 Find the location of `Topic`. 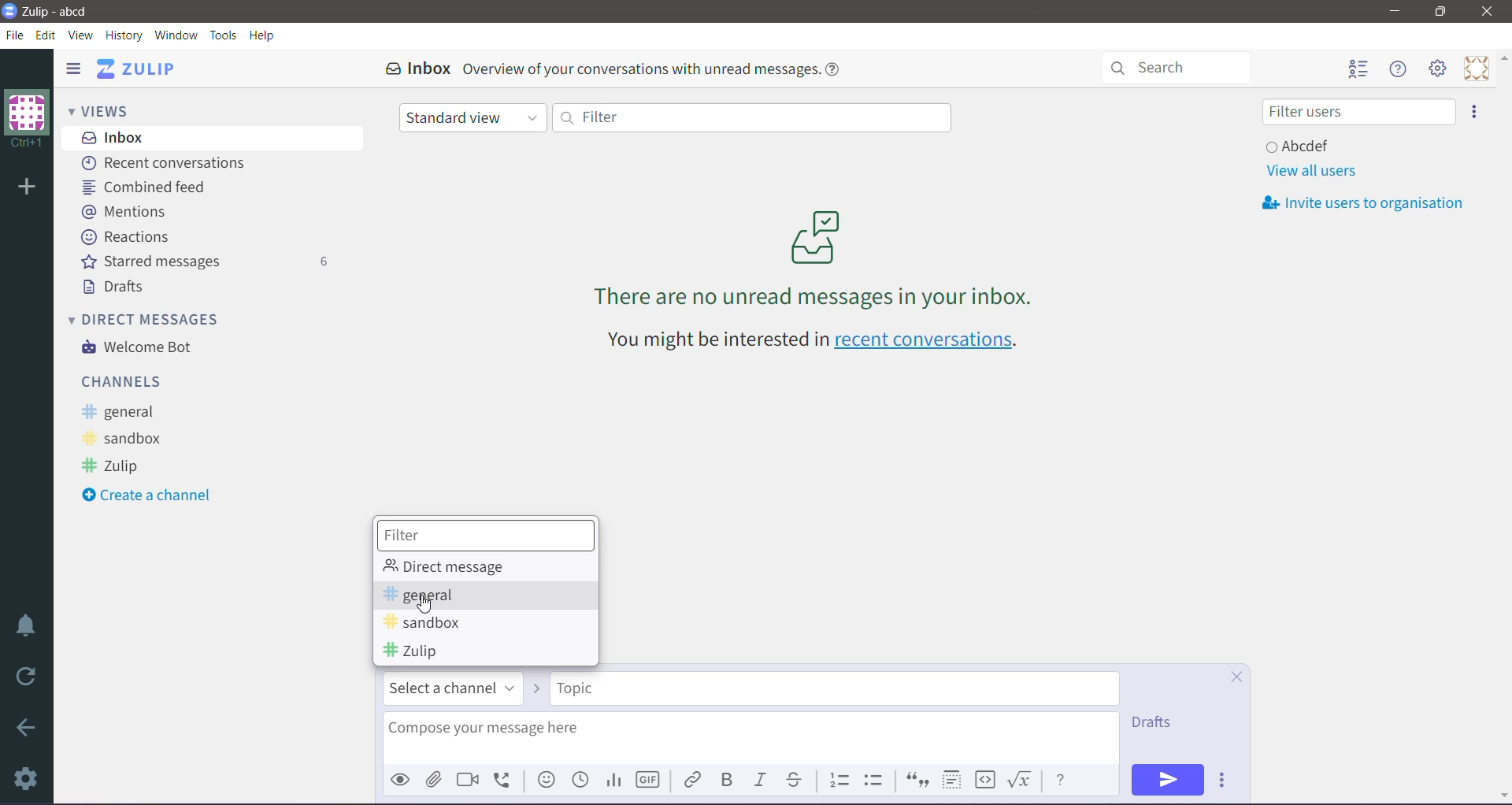

Topic is located at coordinates (834, 688).